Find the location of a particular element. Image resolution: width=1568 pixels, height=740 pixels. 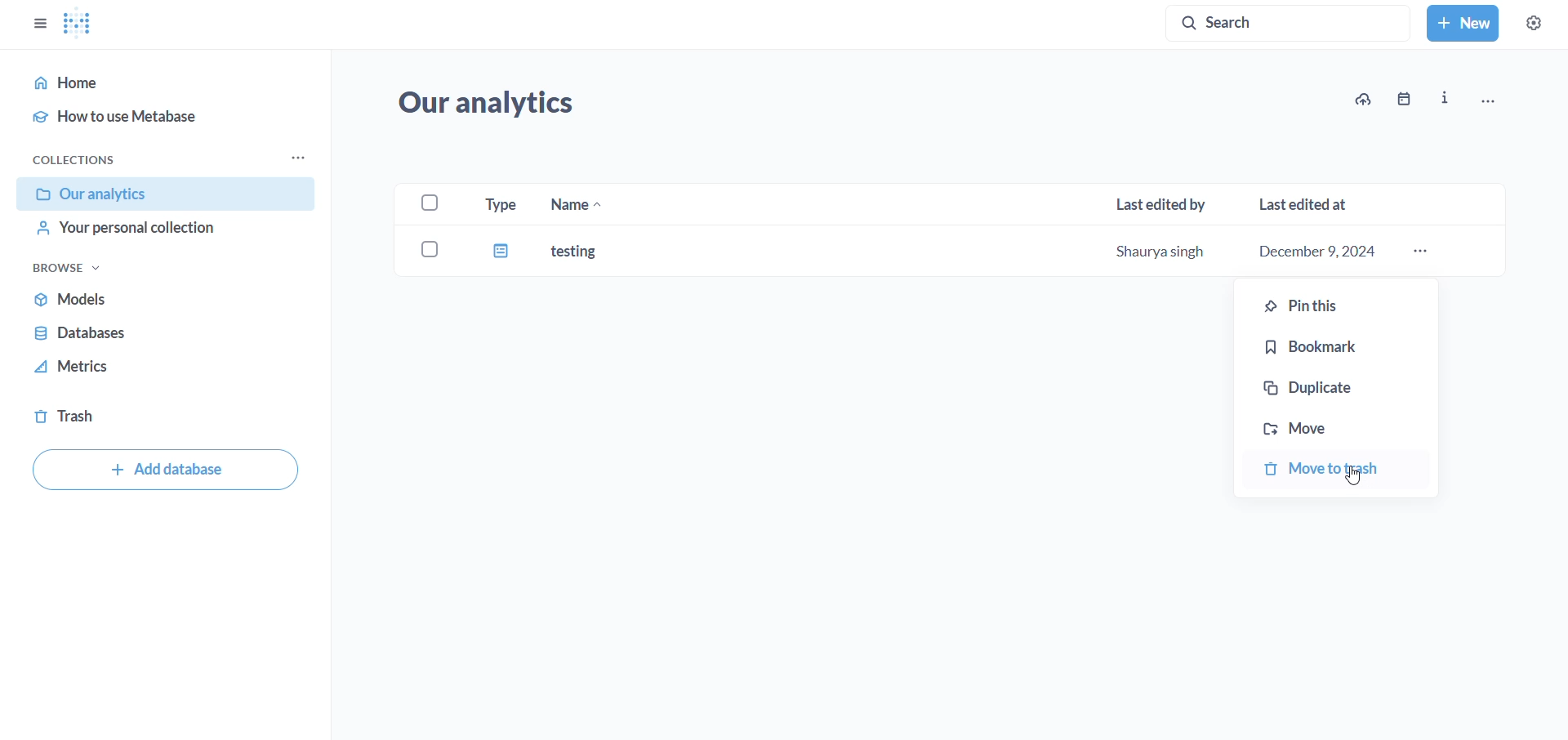

select checkbox is located at coordinates (426, 249).